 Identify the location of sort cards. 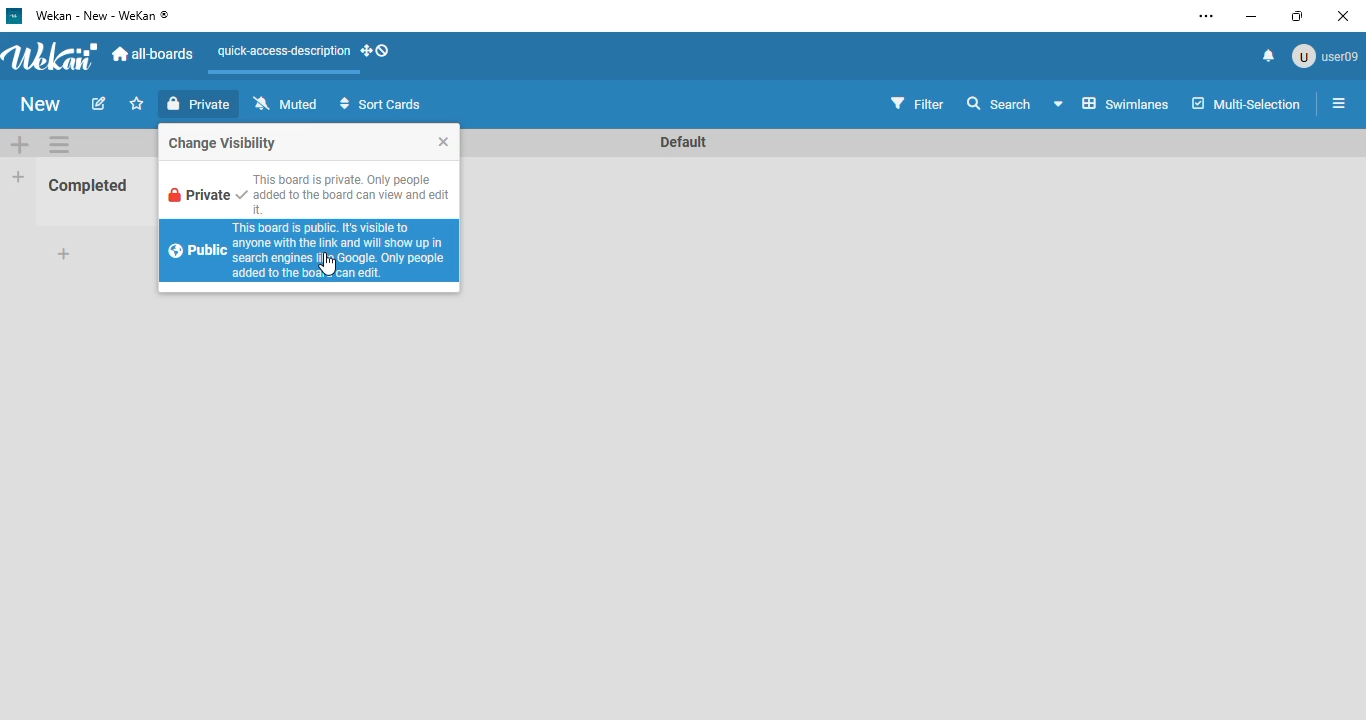
(381, 103).